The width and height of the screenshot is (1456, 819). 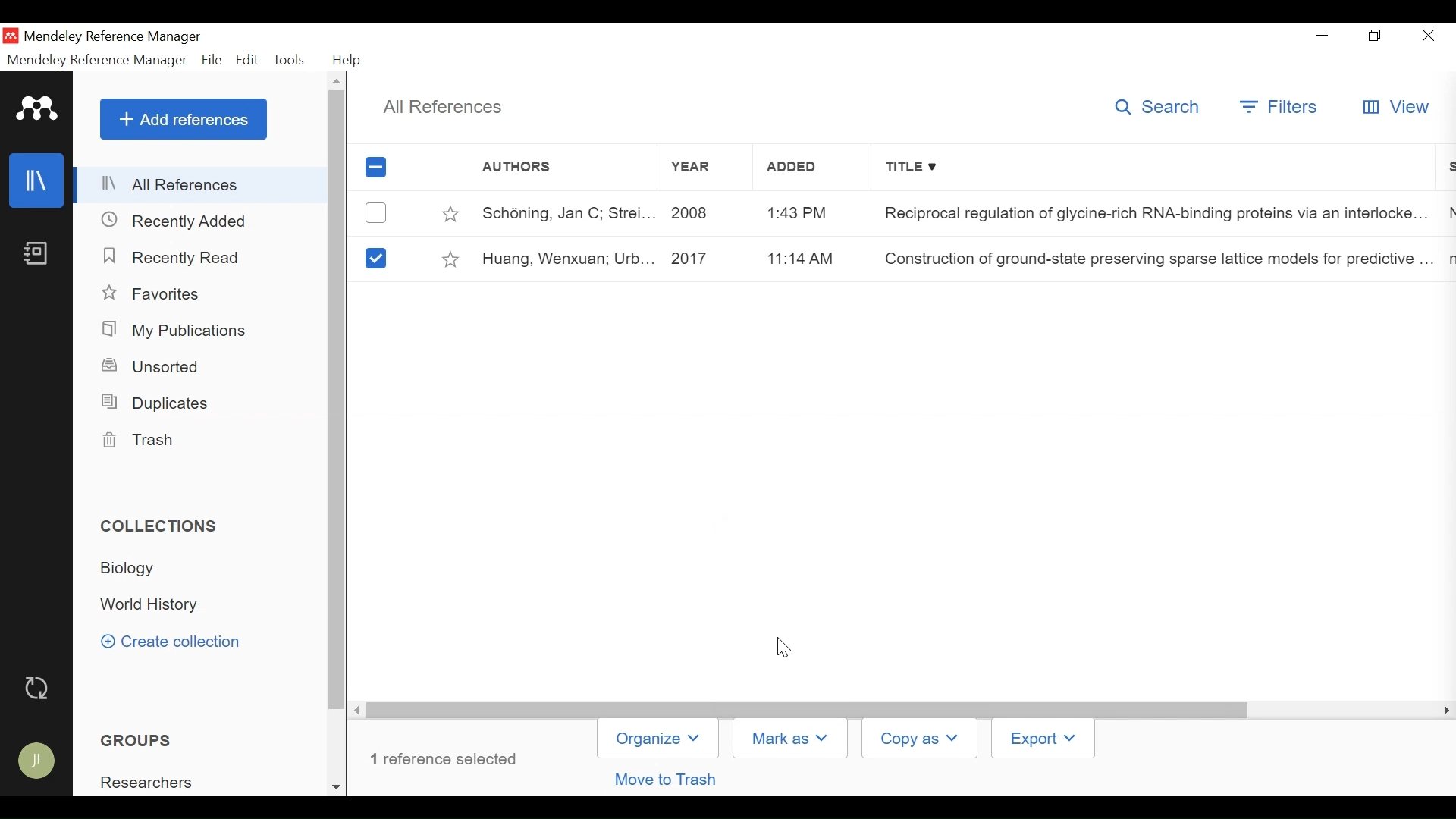 What do you see at coordinates (1282, 107) in the screenshot?
I see `Filter` at bounding box center [1282, 107].